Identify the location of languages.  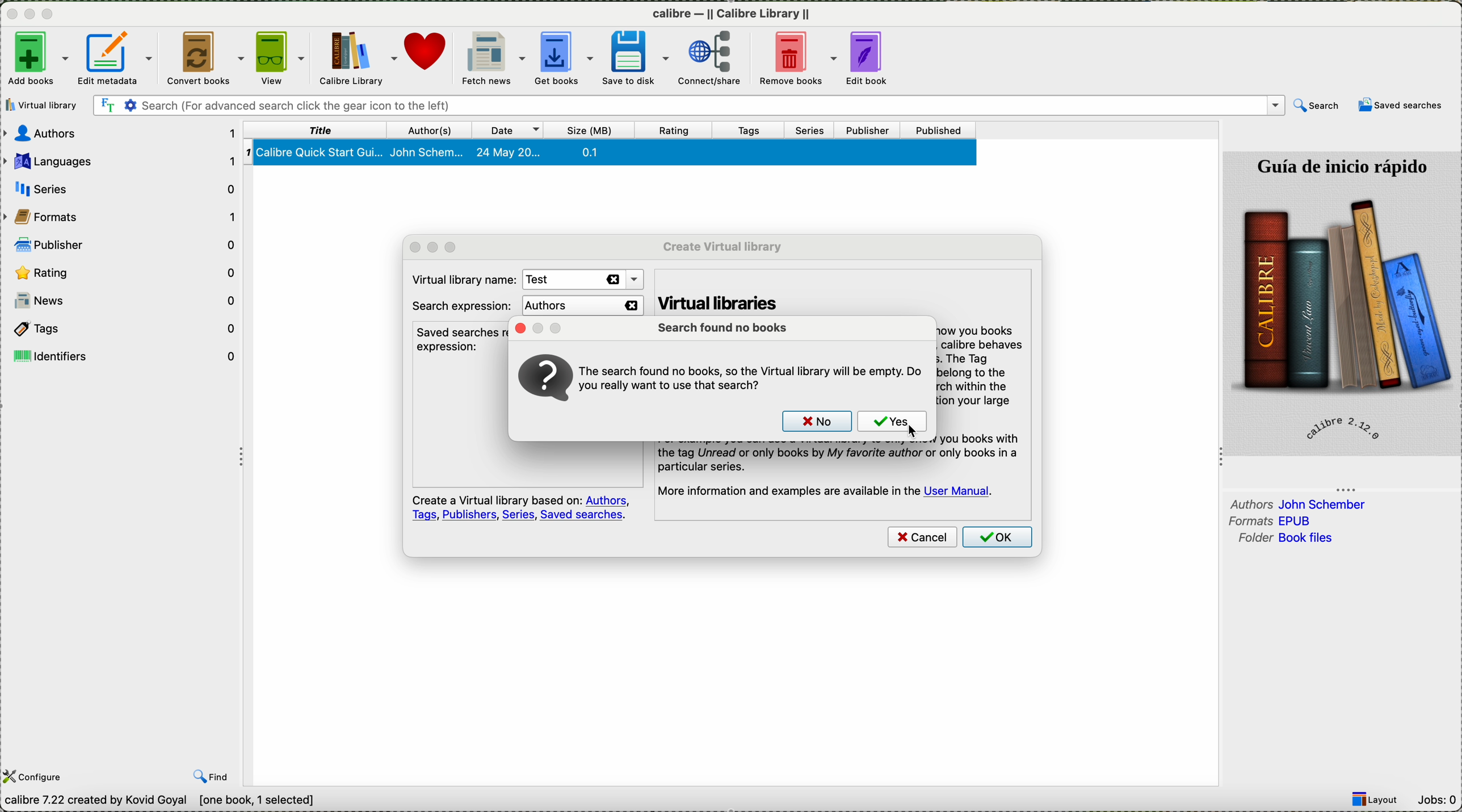
(120, 161).